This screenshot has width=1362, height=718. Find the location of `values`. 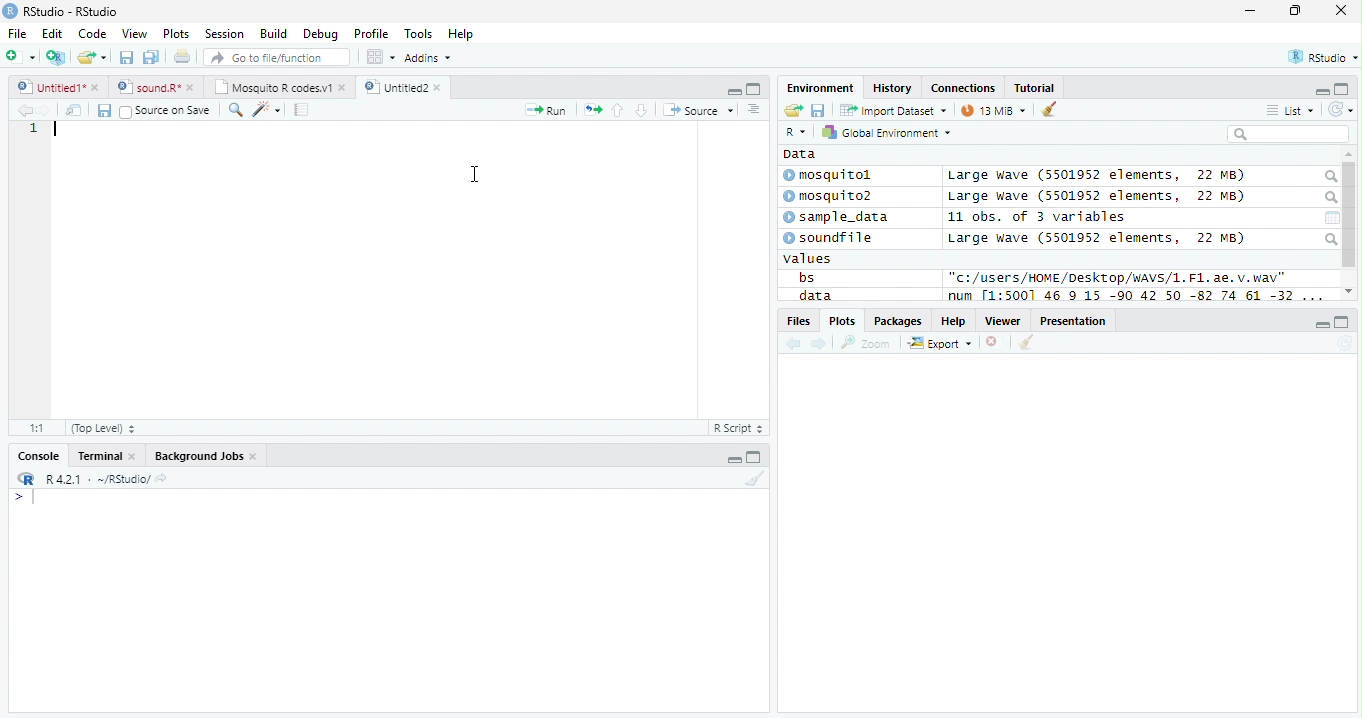

values is located at coordinates (808, 259).